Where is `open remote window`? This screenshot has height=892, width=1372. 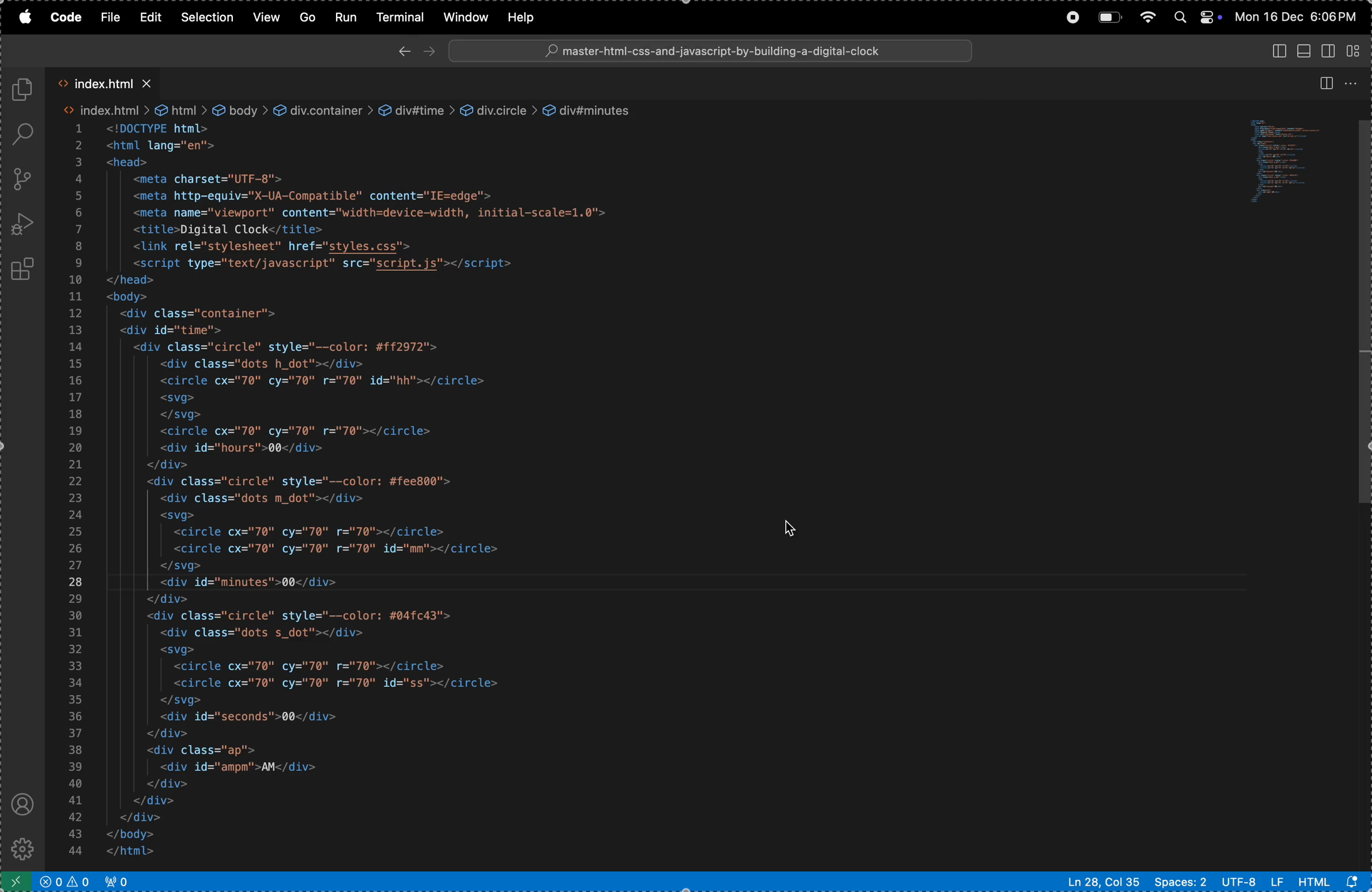
open remote window is located at coordinates (14, 881).